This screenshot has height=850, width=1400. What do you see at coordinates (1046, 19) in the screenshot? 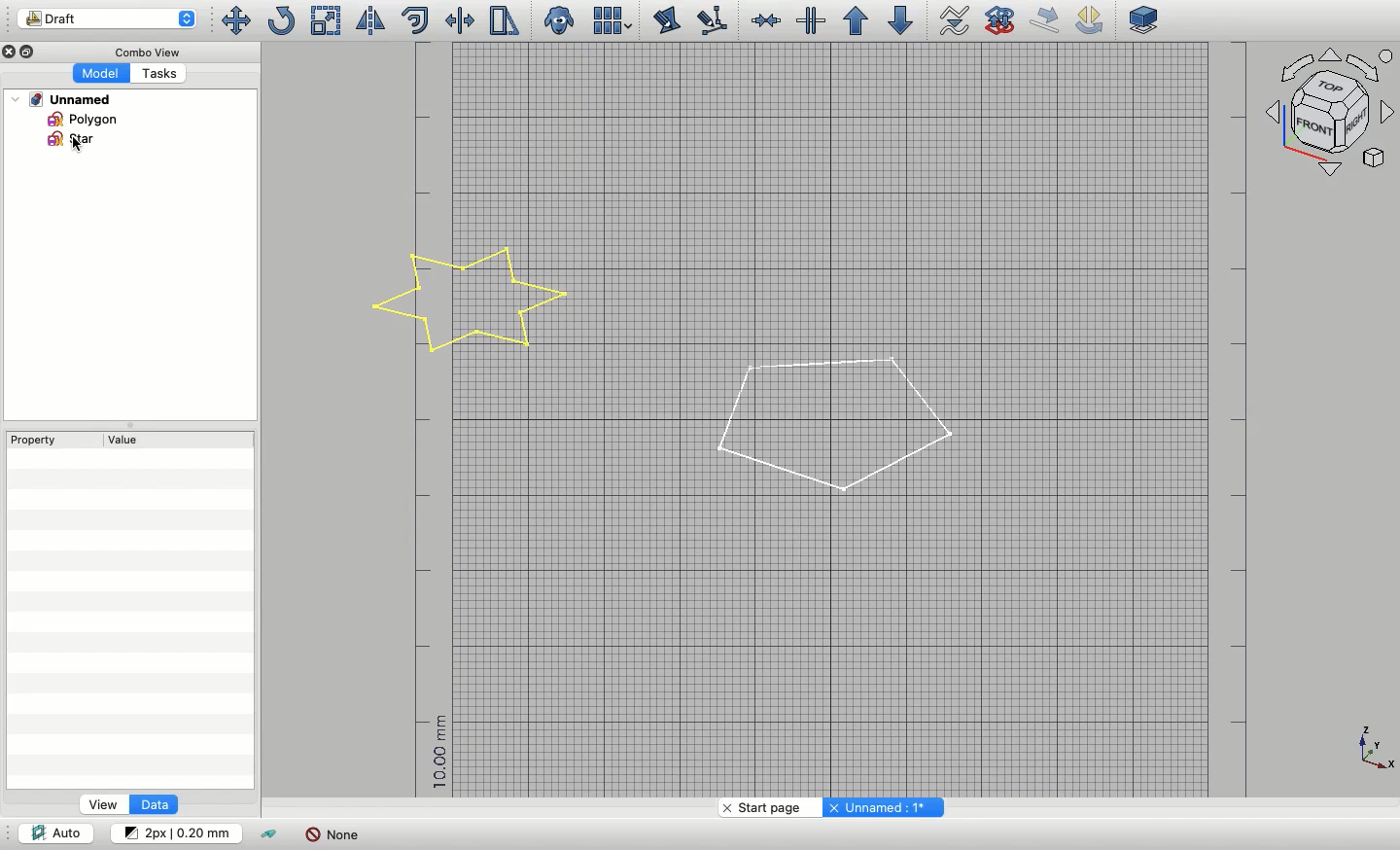
I see `Draft move` at bounding box center [1046, 19].